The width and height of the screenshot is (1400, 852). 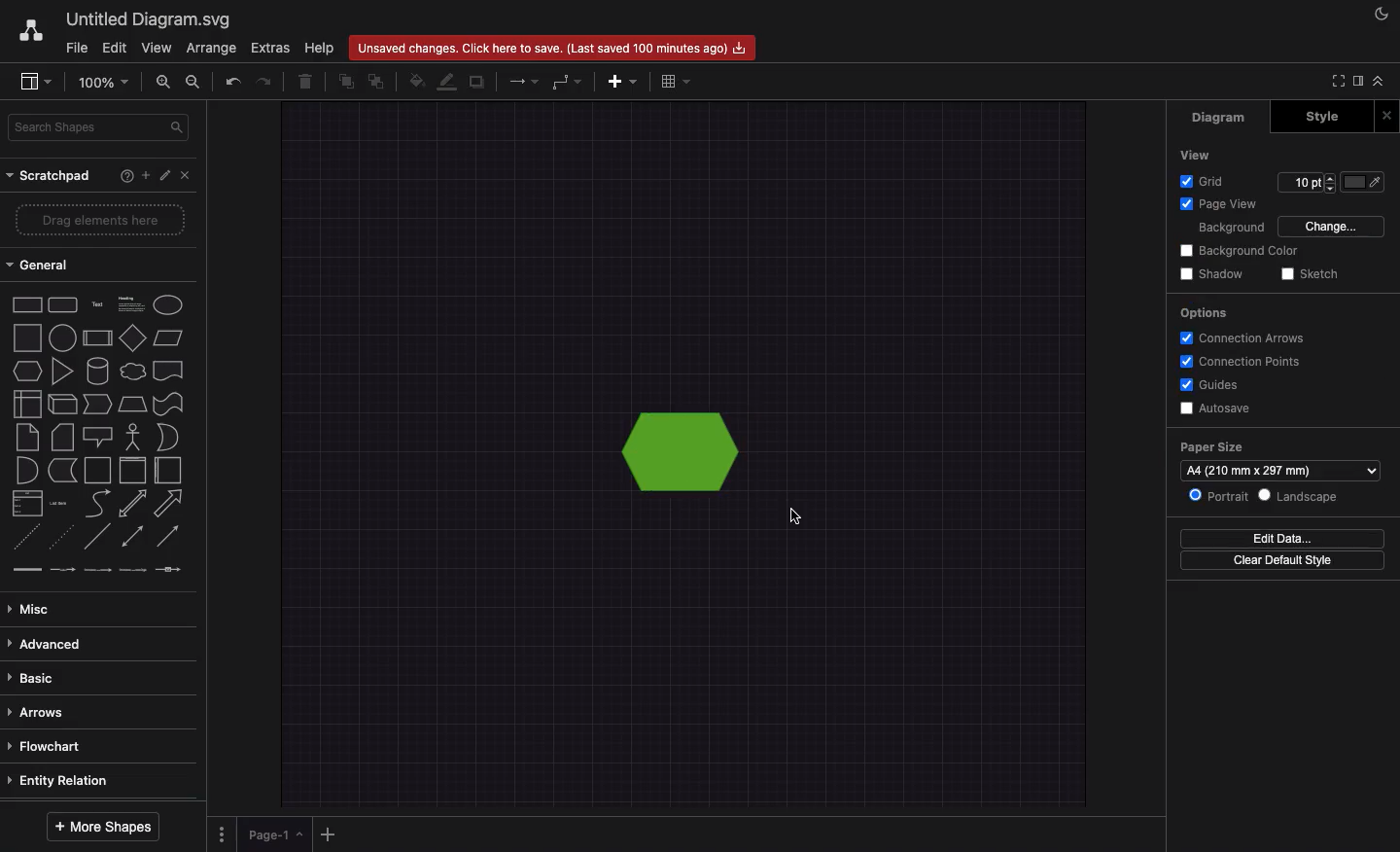 What do you see at coordinates (192, 80) in the screenshot?
I see `Zoom out` at bounding box center [192, 80].